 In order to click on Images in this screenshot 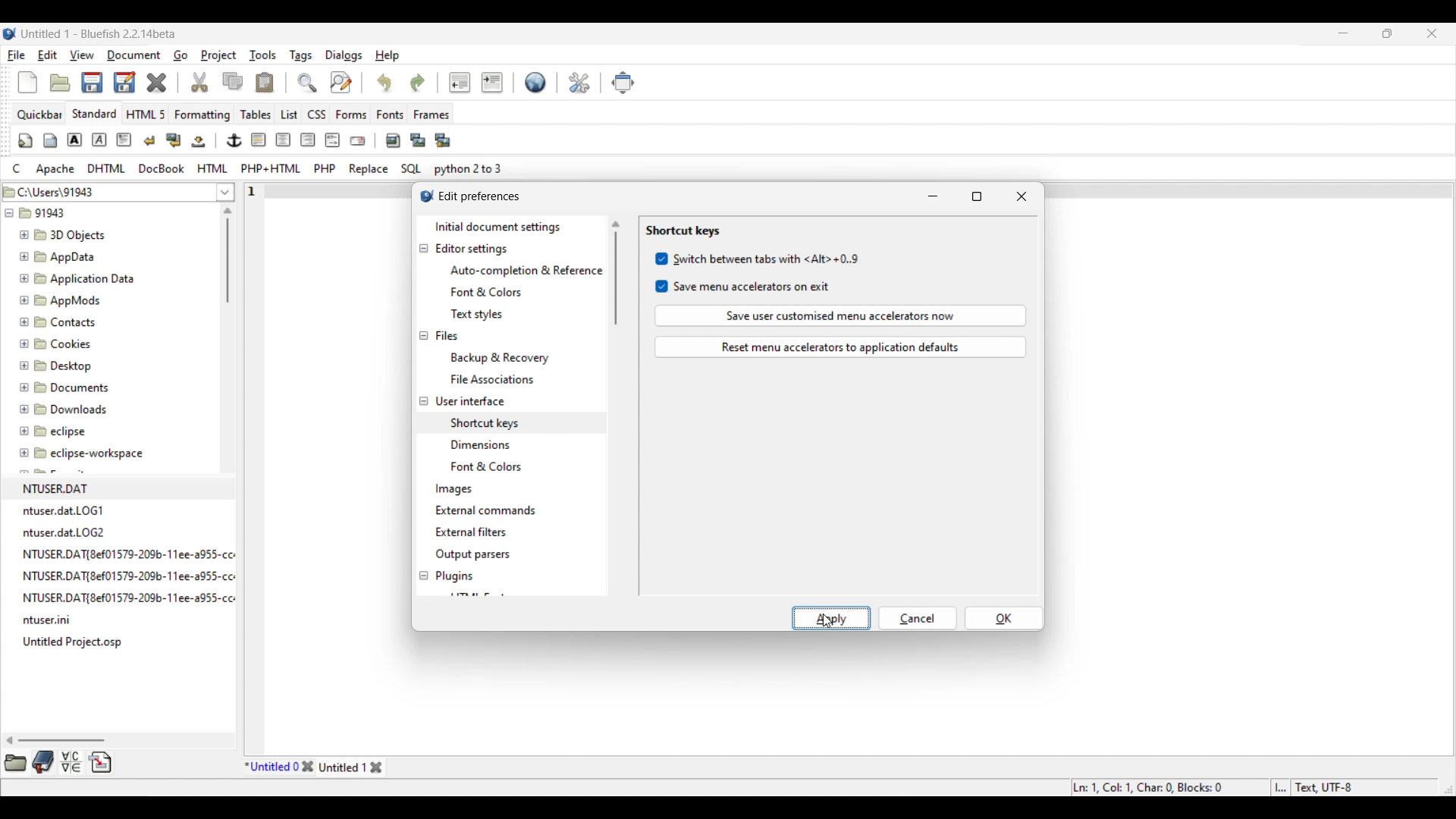, I will do `click(455, 490)`.